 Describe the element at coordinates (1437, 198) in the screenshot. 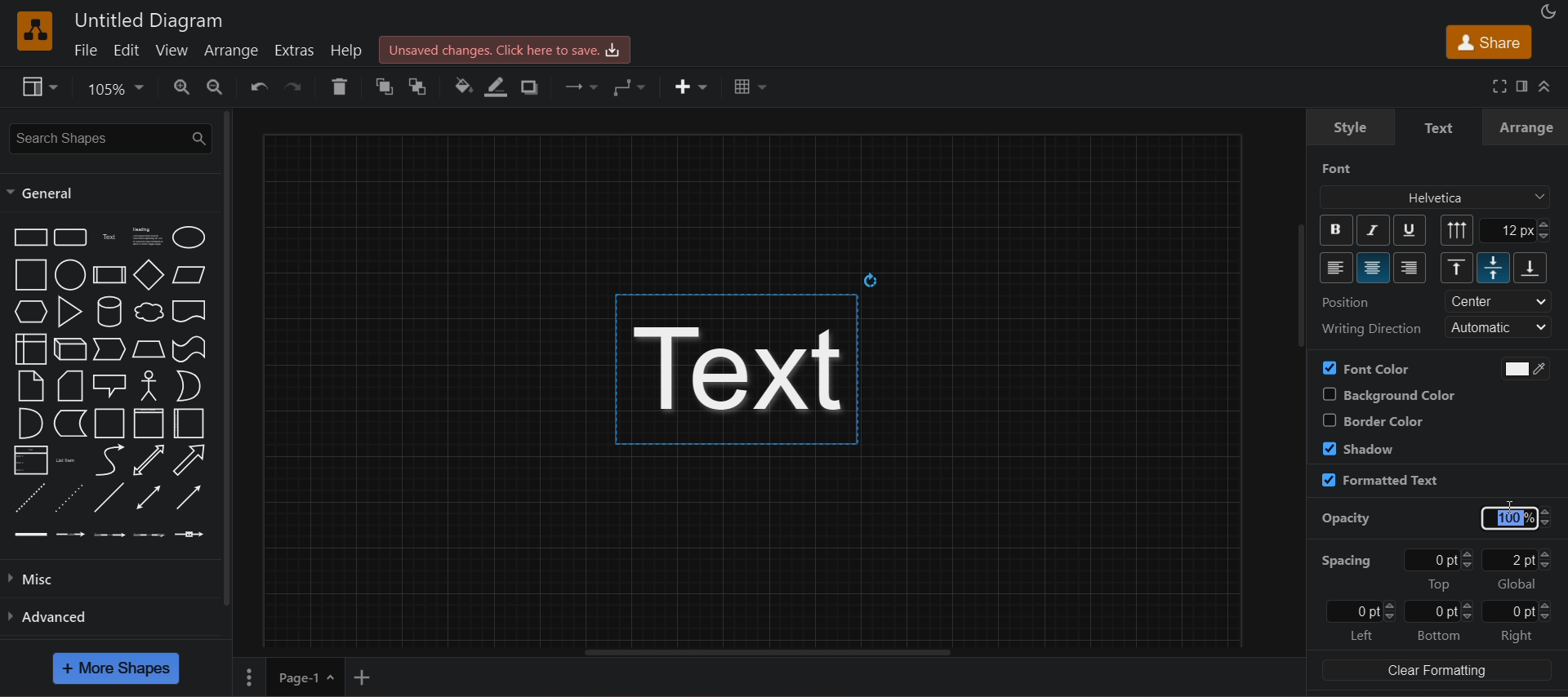

I see `font family` at that location.